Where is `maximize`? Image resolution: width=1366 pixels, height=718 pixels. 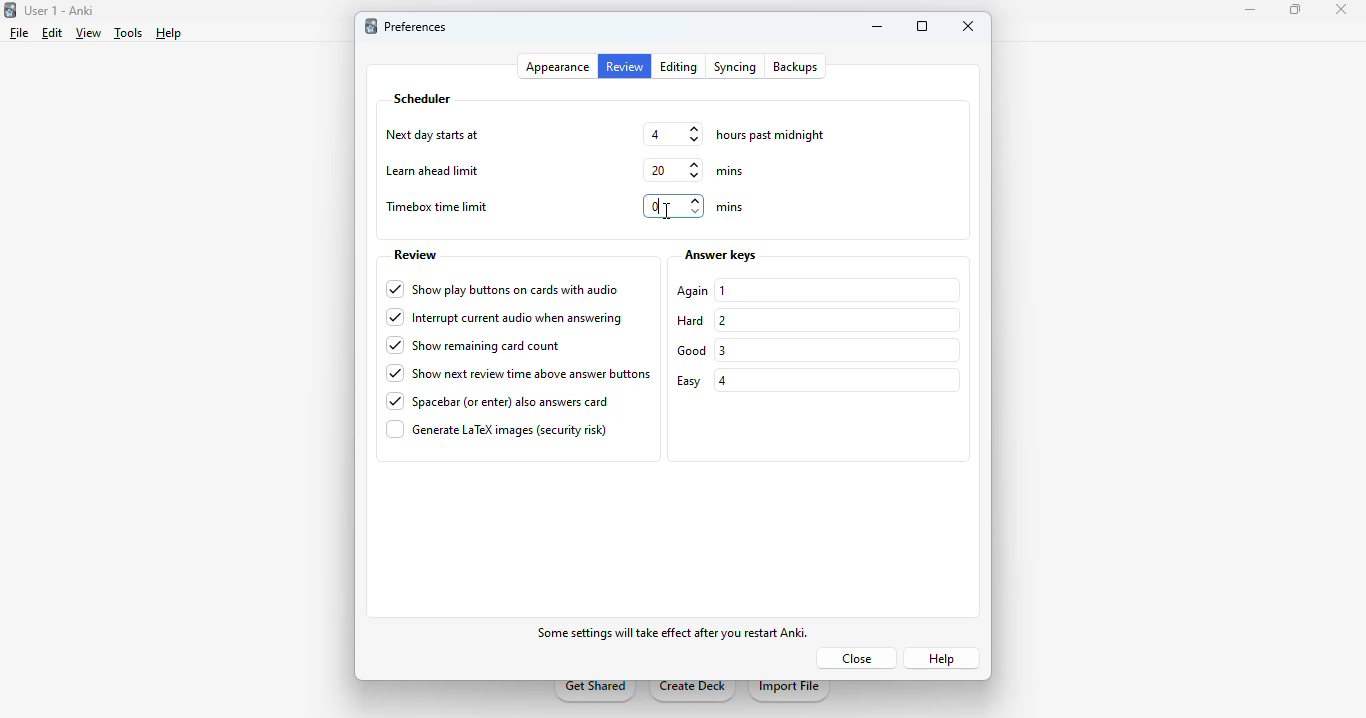
maximize is located at coordinates (923, 26).